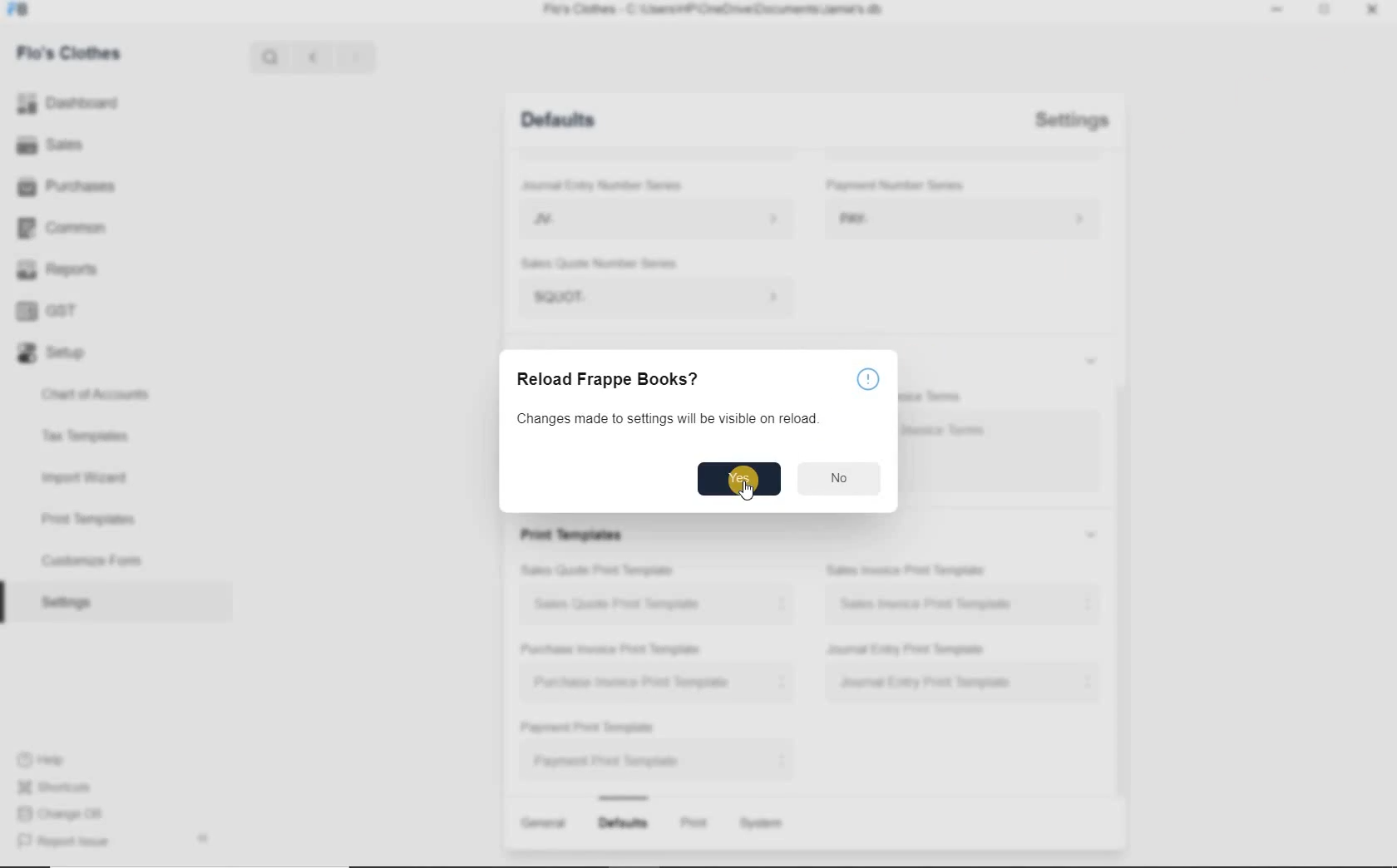  I want to click on Minimize, so click(1276, 10).